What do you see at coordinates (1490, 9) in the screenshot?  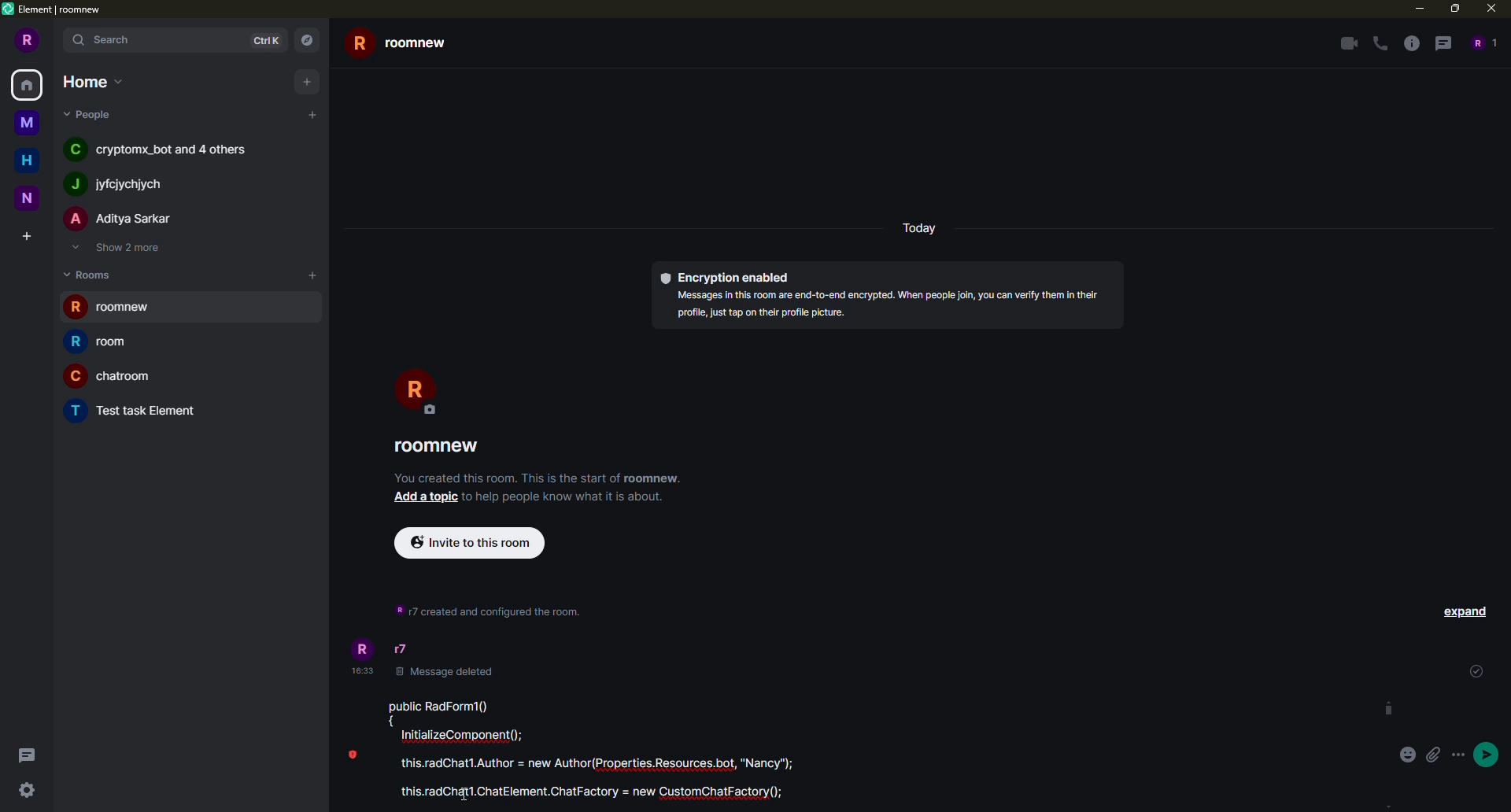 I see `close` at bounding box center [1490, 9].